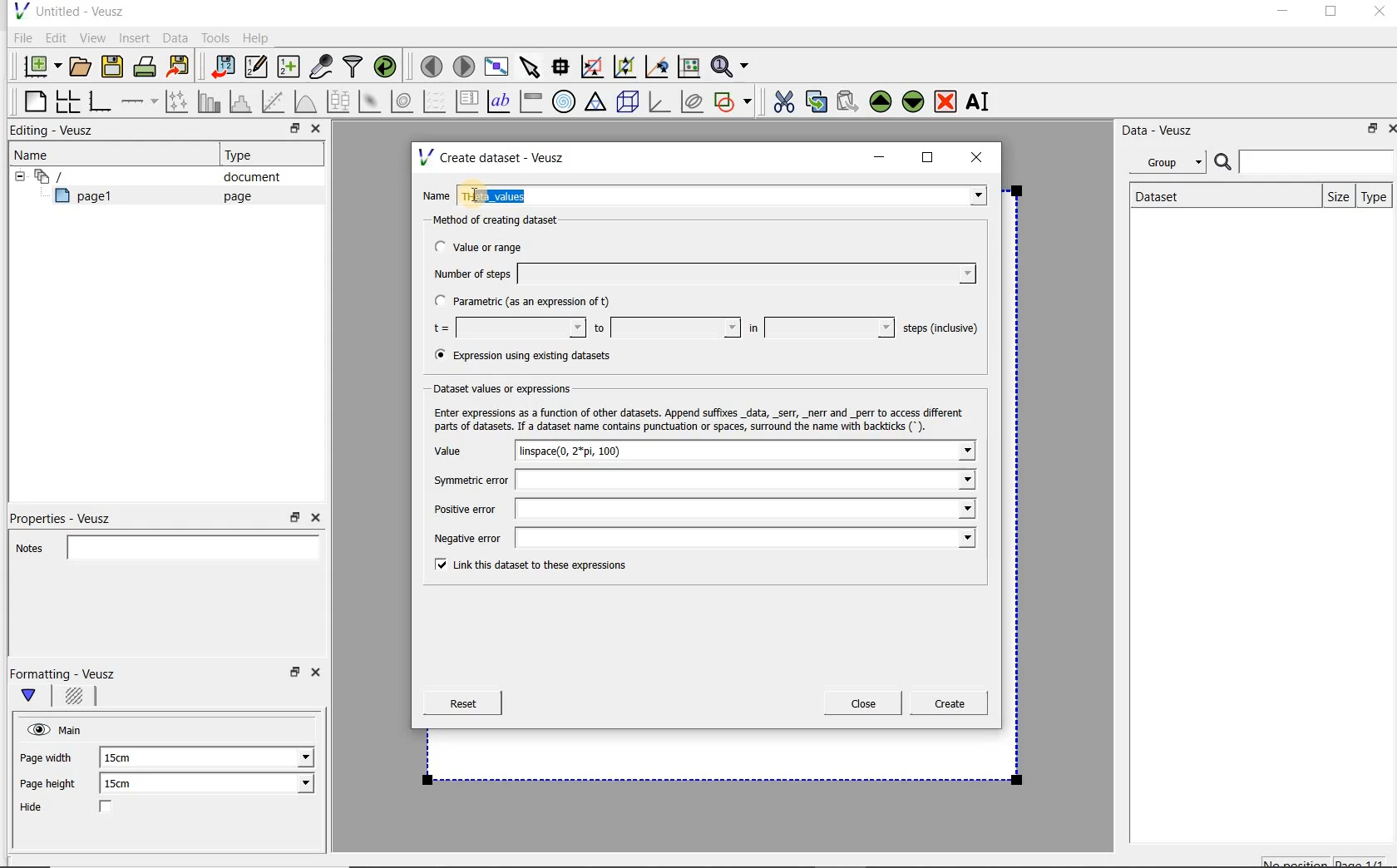  What do you see at coordinates (36, 729) in the screenshot?
I see `visible (click to hide, set Hide to true)` at bounding box center [36, 729].